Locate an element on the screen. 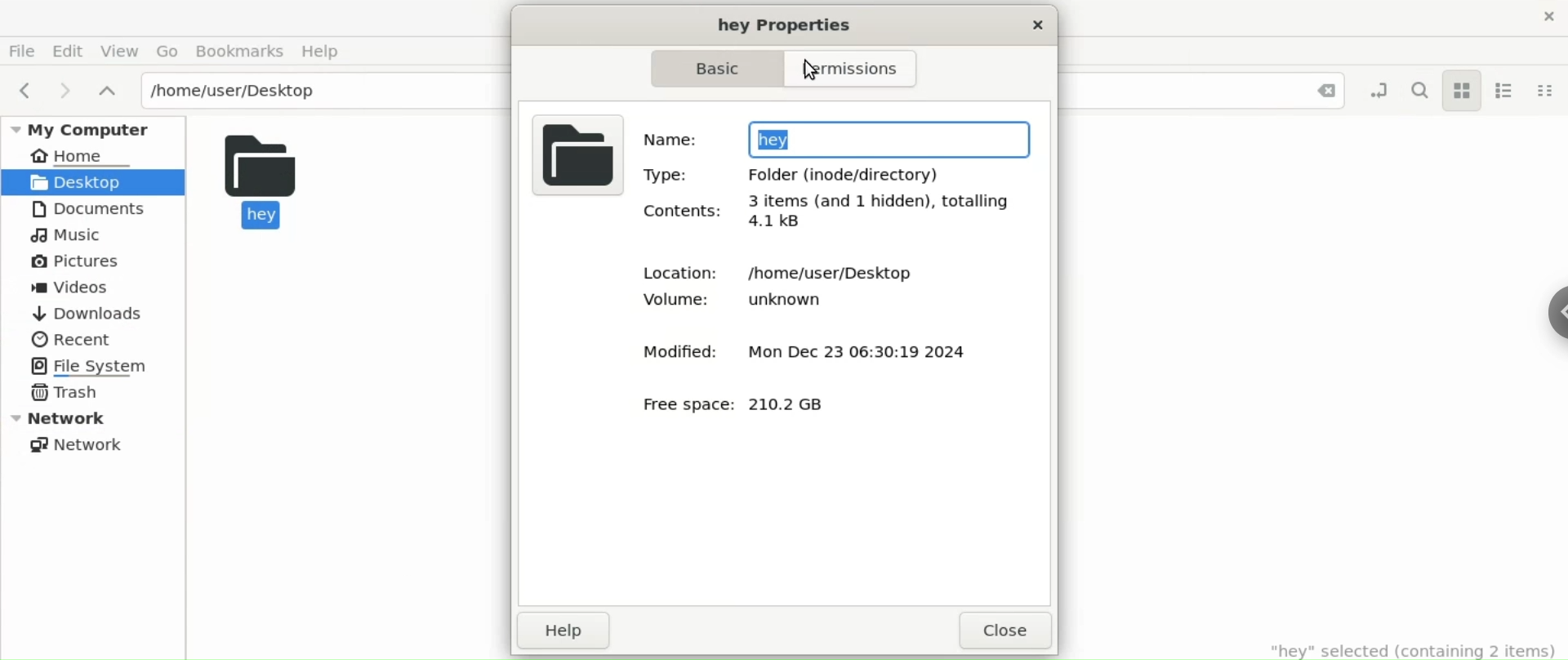  close is located at coordinates (1031, 25).